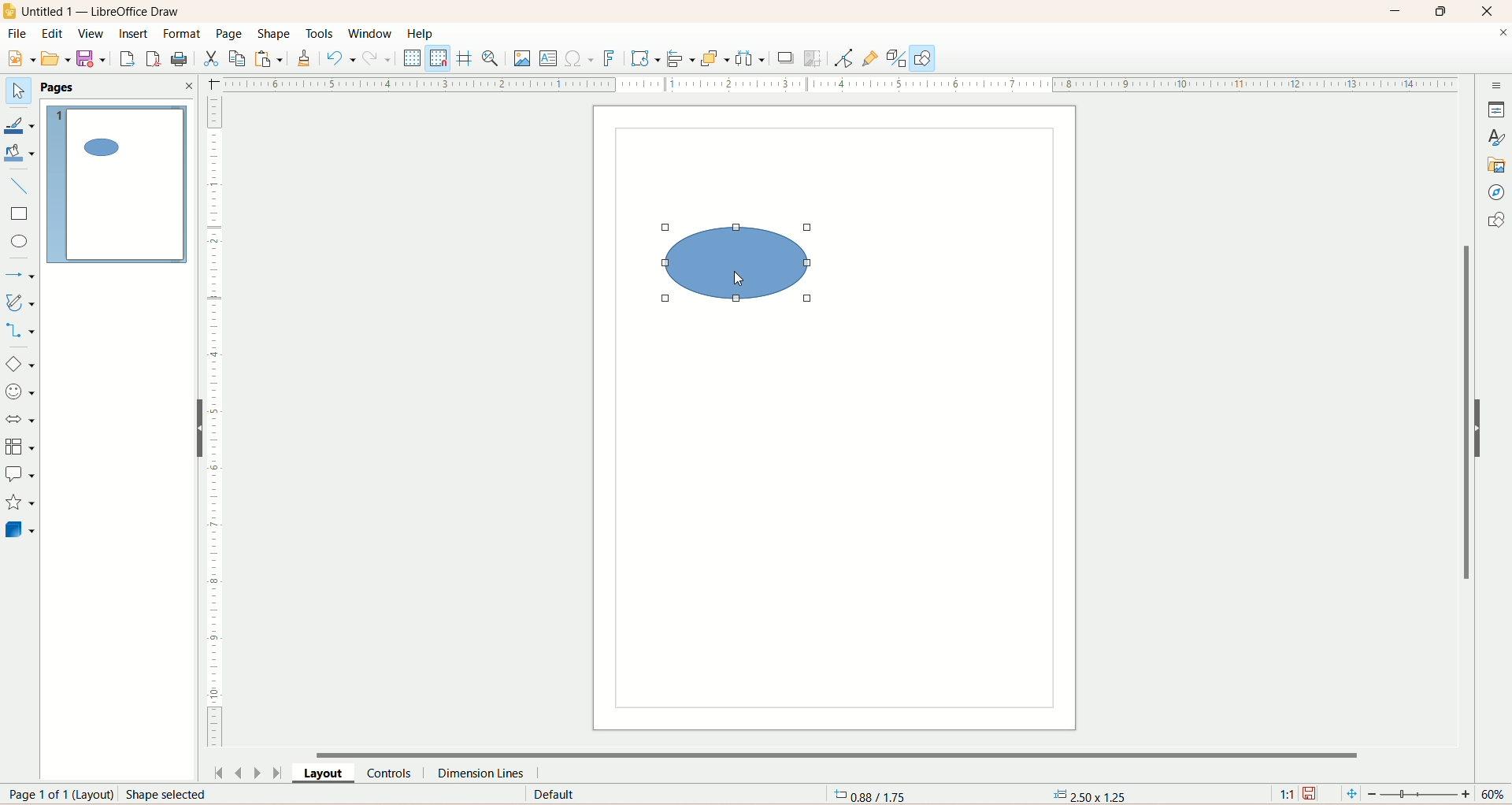 This screenshot has height=805, width=1512. I want to click on shapes, so click(1494, 220).